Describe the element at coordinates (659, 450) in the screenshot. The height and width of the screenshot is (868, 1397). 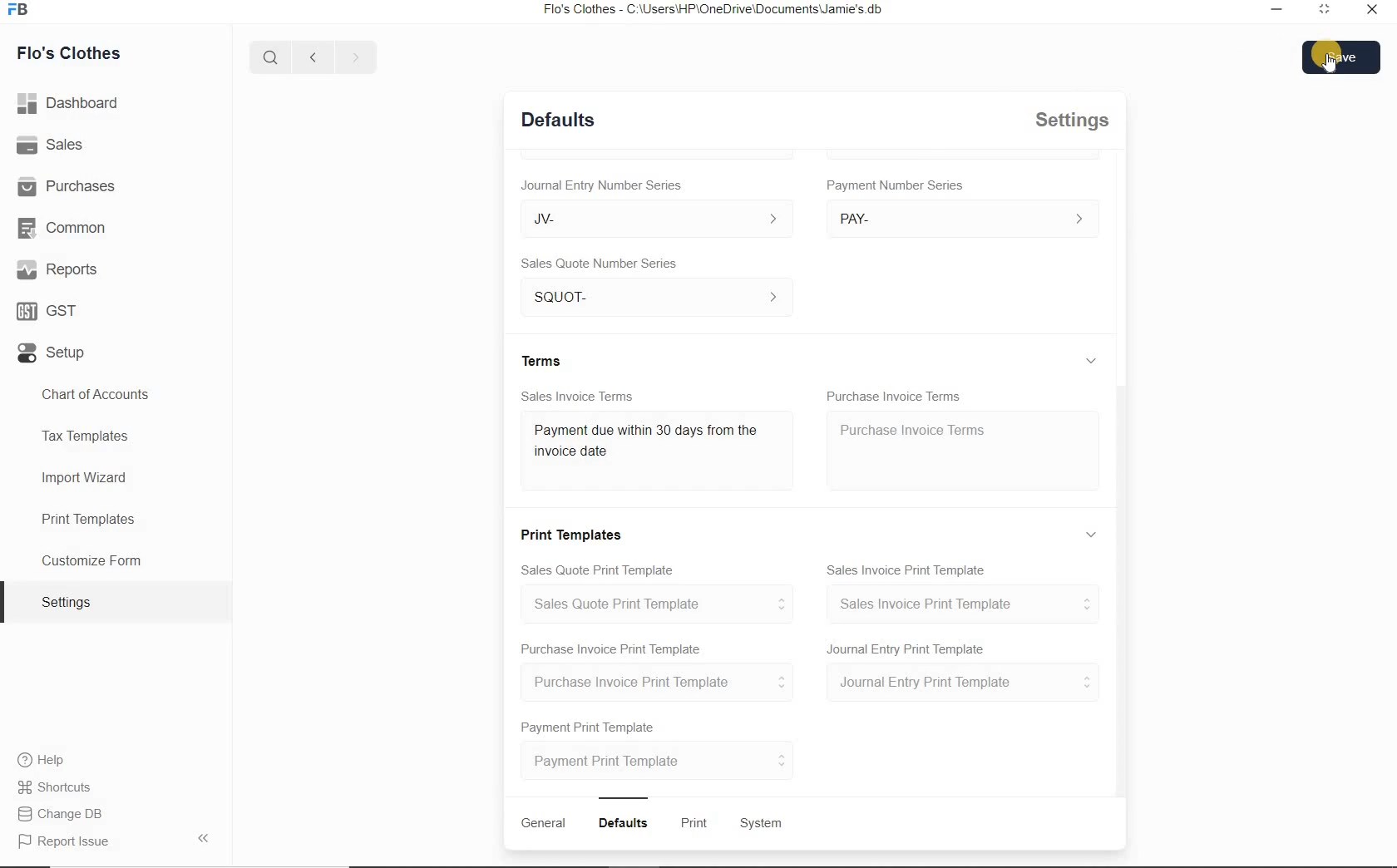
I see `Sales Invoice Terms` at that location.